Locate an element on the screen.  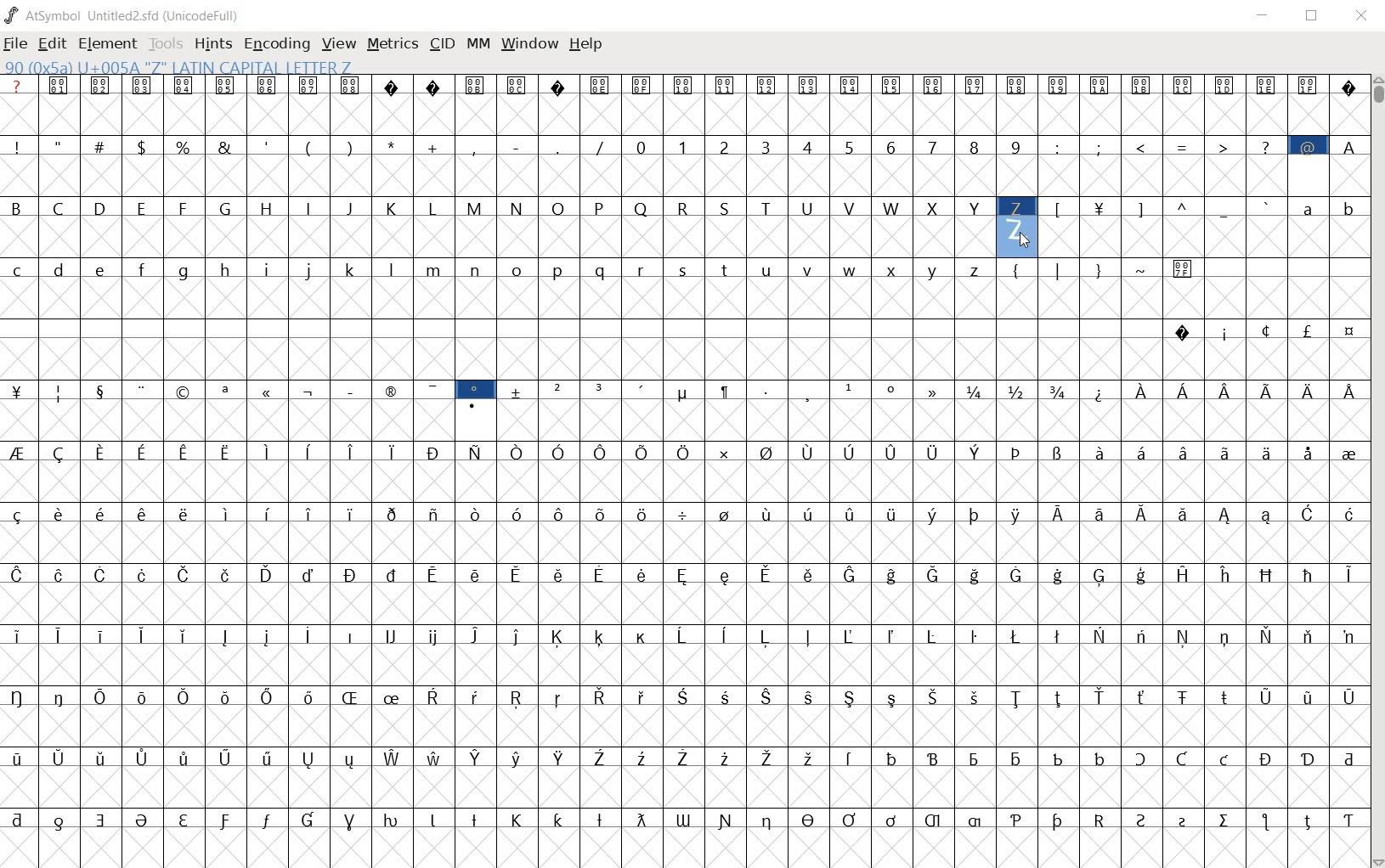
restore down is located at coordinates (1314, 18).